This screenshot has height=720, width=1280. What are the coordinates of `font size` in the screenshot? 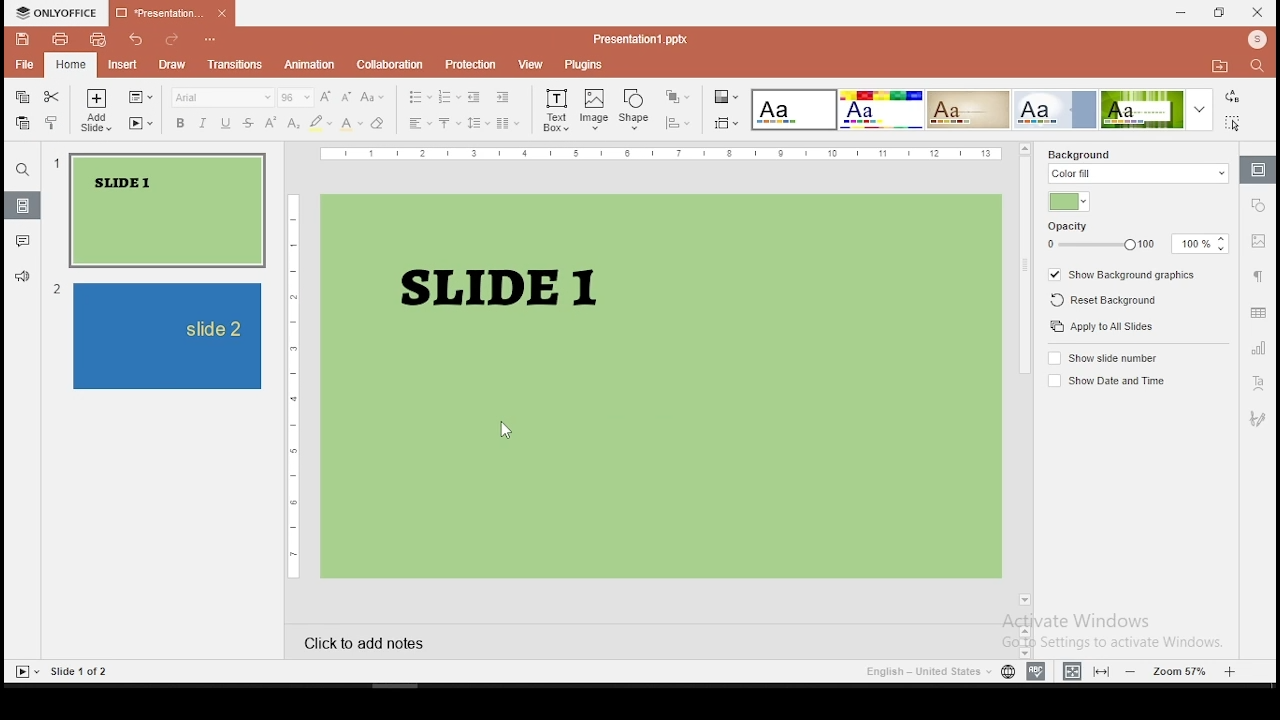 It's located at (295, 98).